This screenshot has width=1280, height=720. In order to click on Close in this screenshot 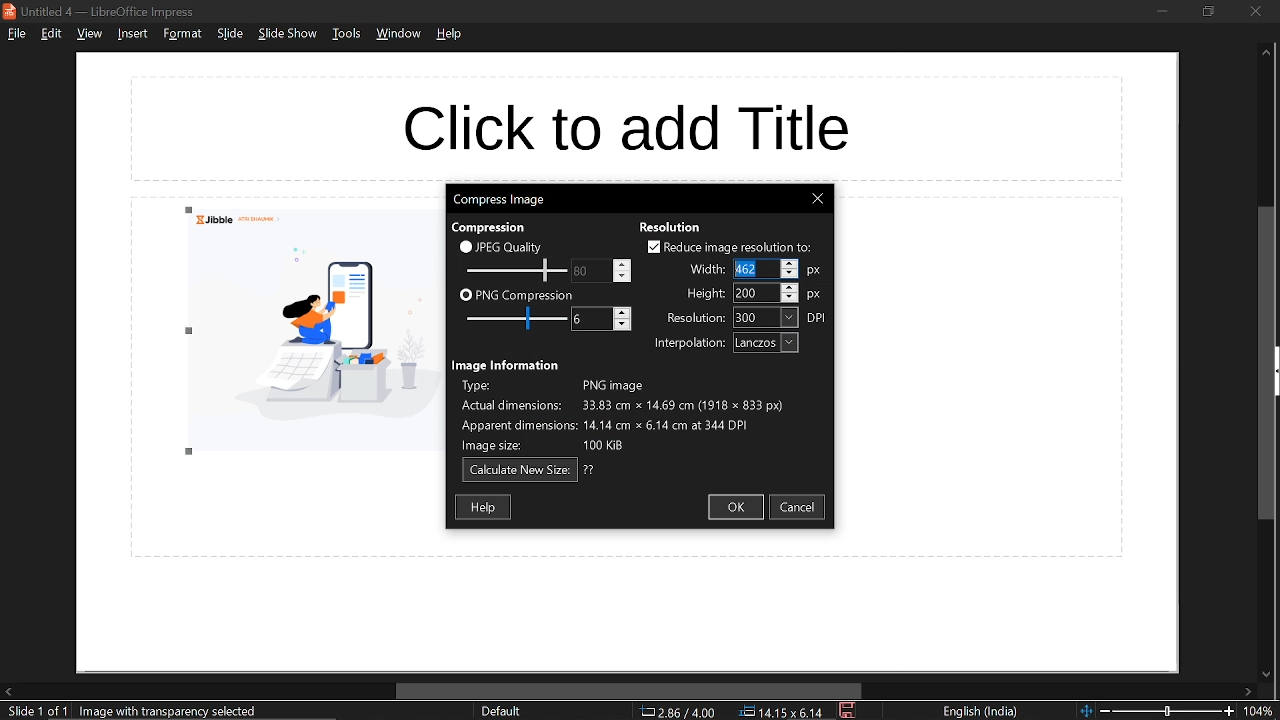, I will do `click(817, 199)`.